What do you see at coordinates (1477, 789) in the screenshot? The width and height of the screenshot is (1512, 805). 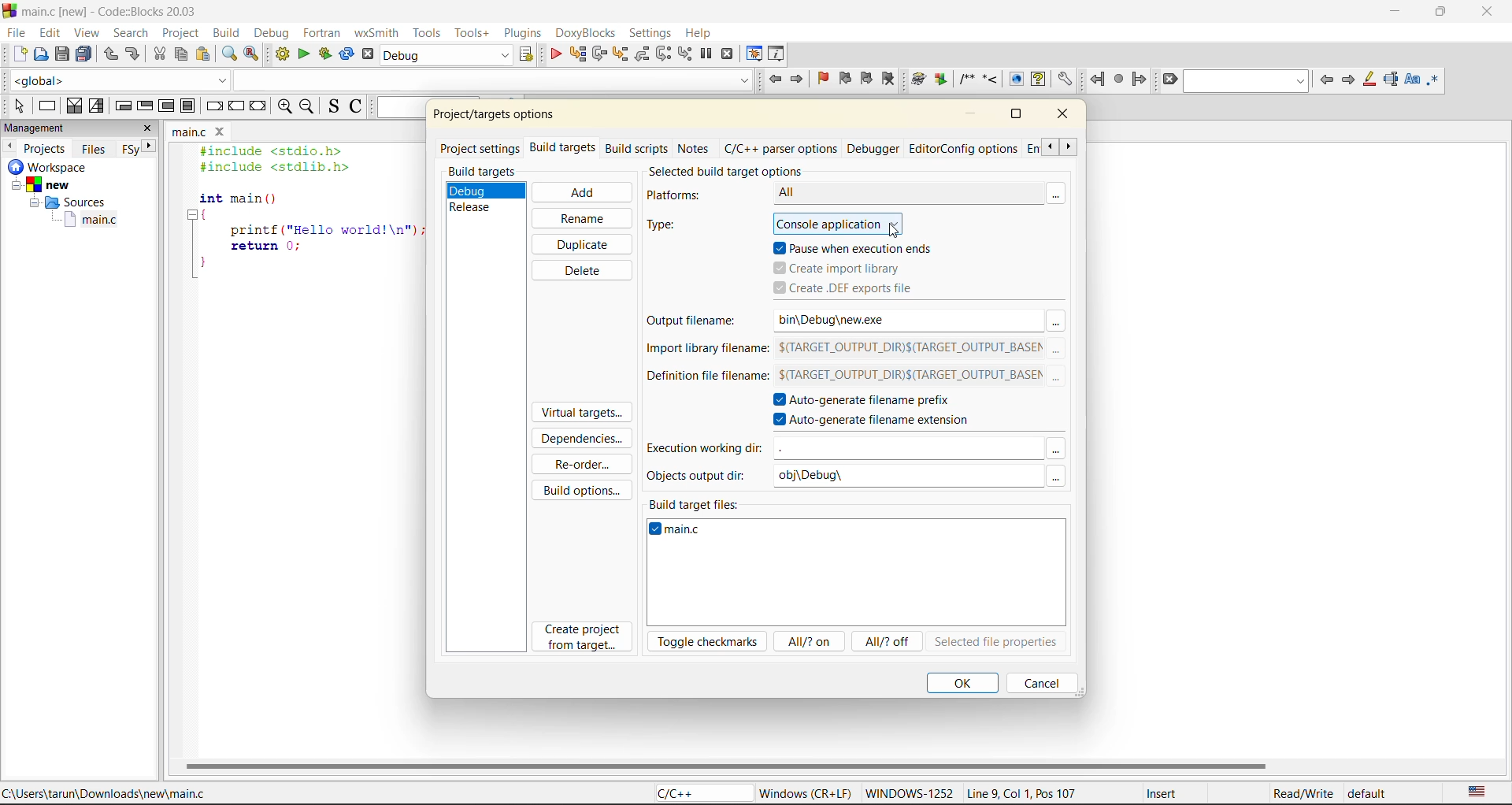 I see `text language` at bounding box center [1477, 789].